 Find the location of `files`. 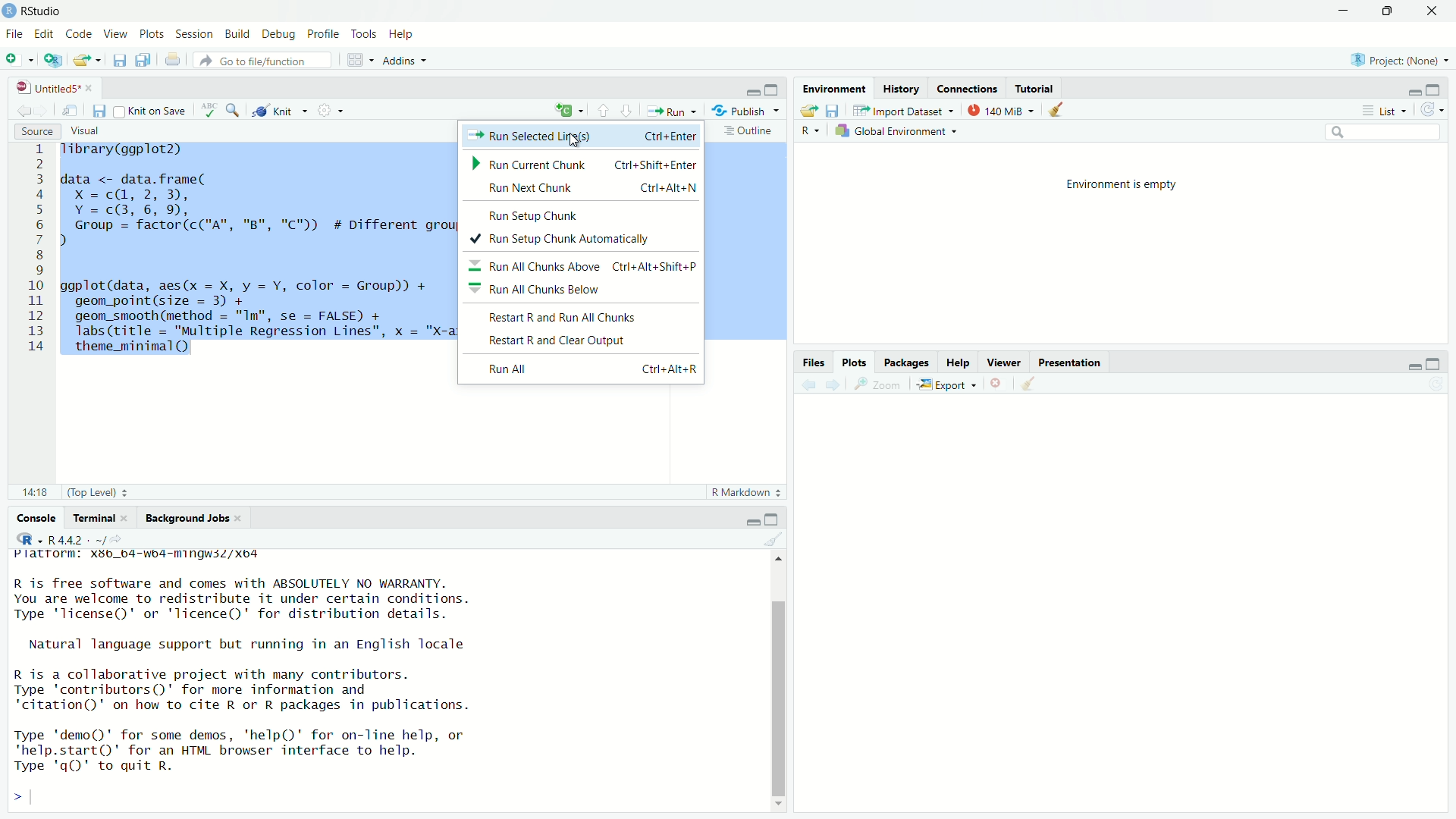

files is located at coordinates (837, 111).